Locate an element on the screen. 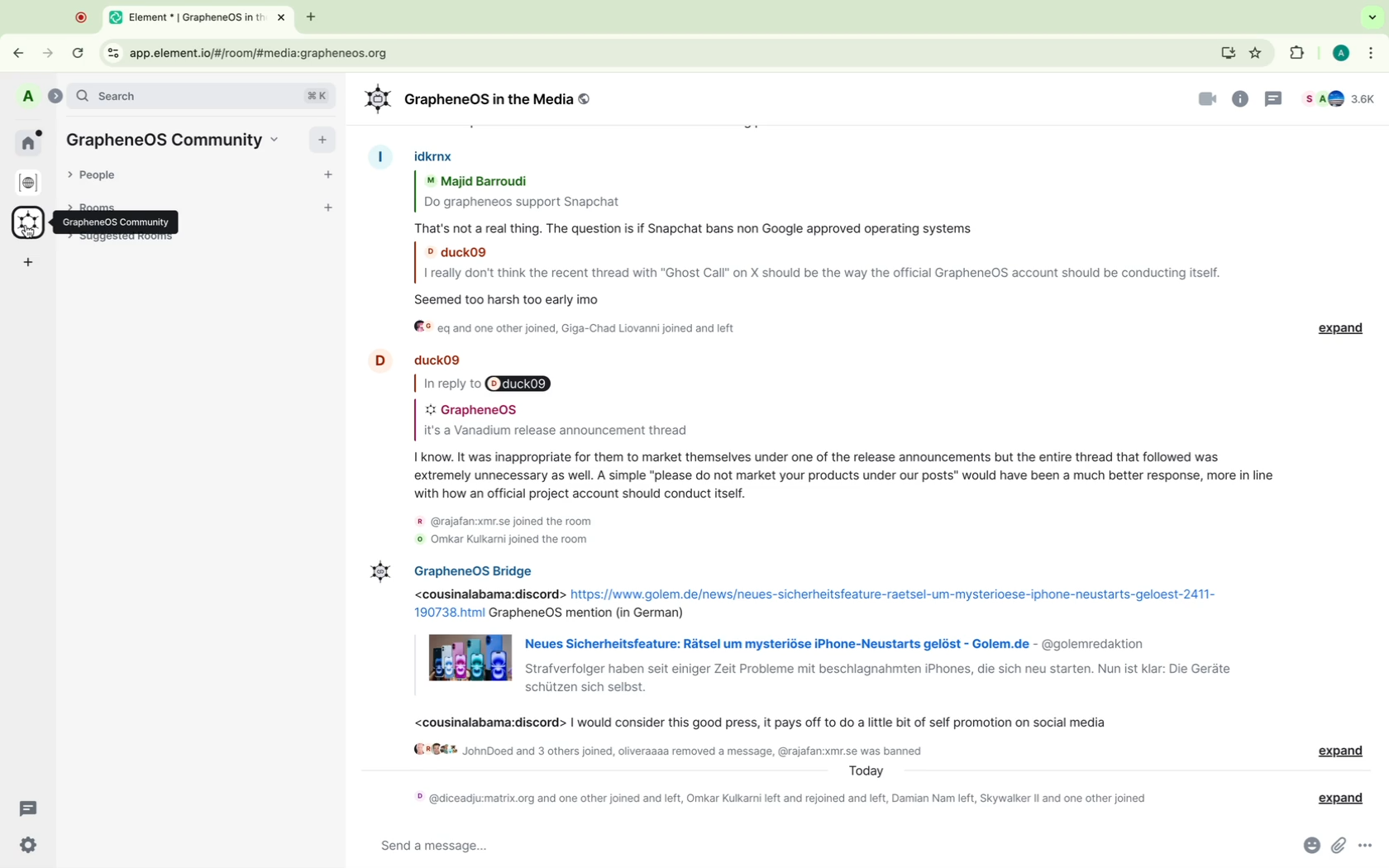 The image size is (1389, 868). @diceadju:matrix.org and one other joined and left, omar kulkarni left and rejoined and left, damien nam left, skywalker II and one other joined is located at coordinates (776, 796).